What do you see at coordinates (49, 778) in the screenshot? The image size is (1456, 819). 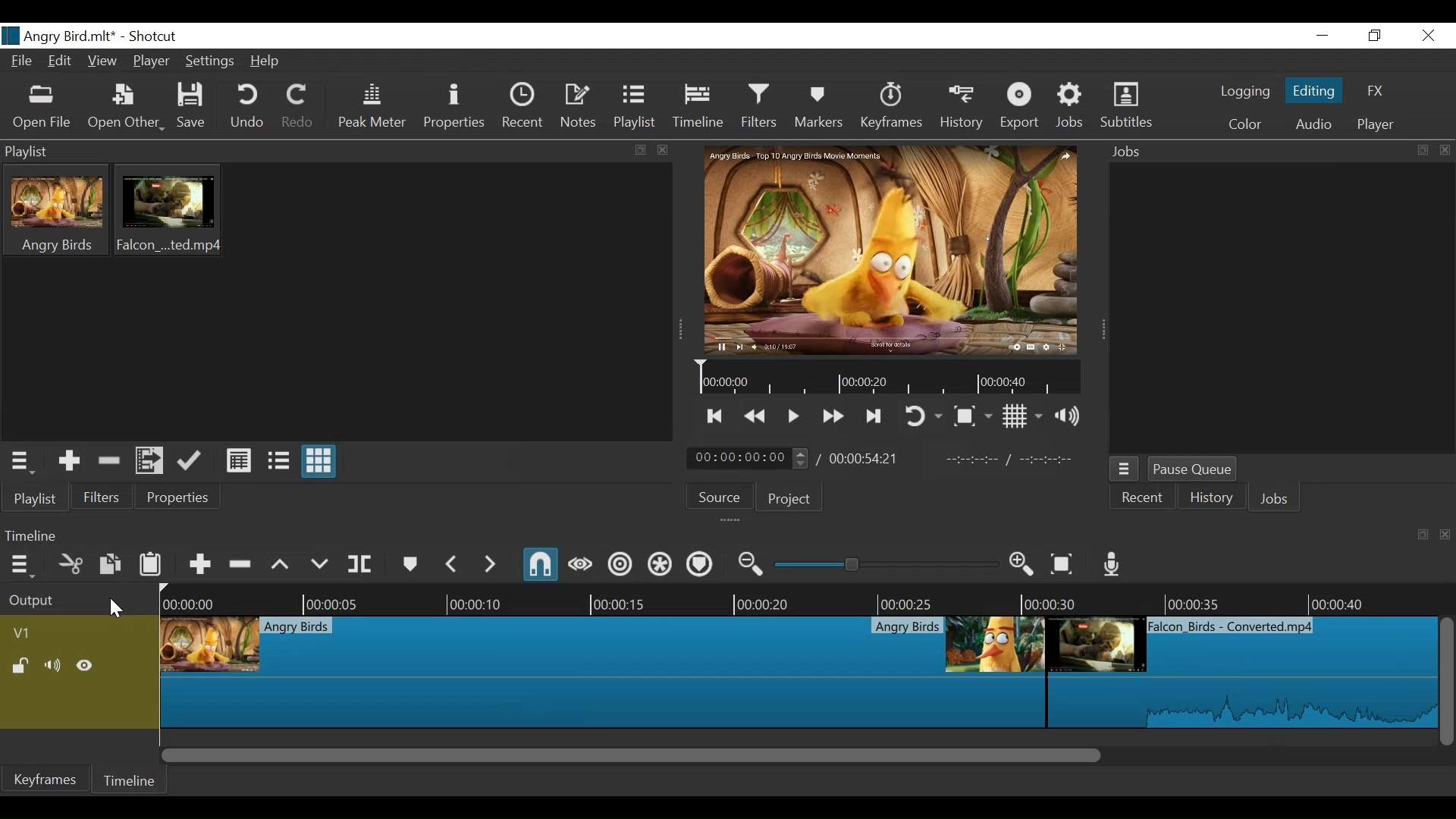 I see `Keyframe` at bounding box center [49, 778].